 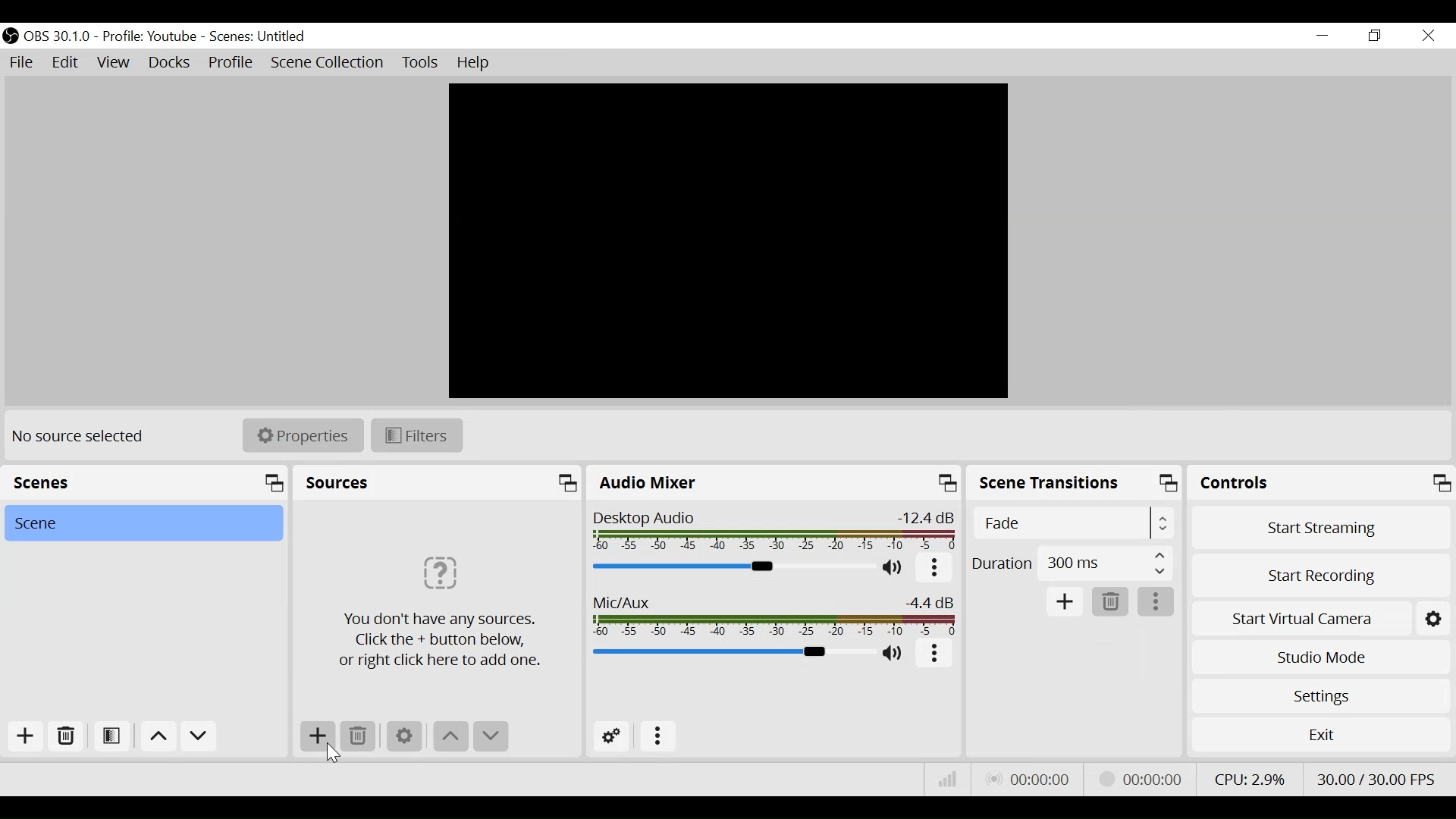 I want to click on minimize, so click(x=1323, y=35).